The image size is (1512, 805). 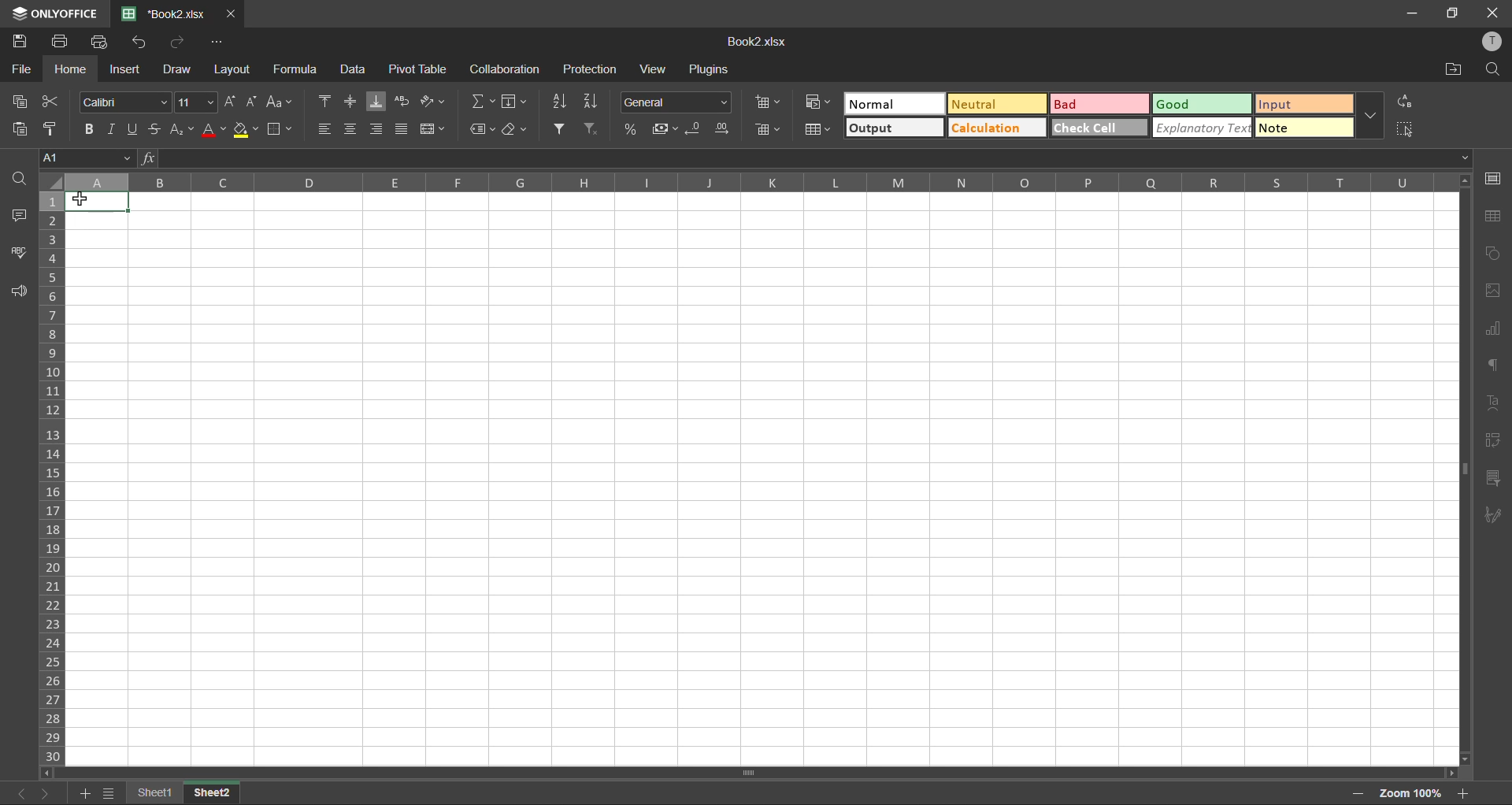 I want to click on undo, so click(x=141, y=42).